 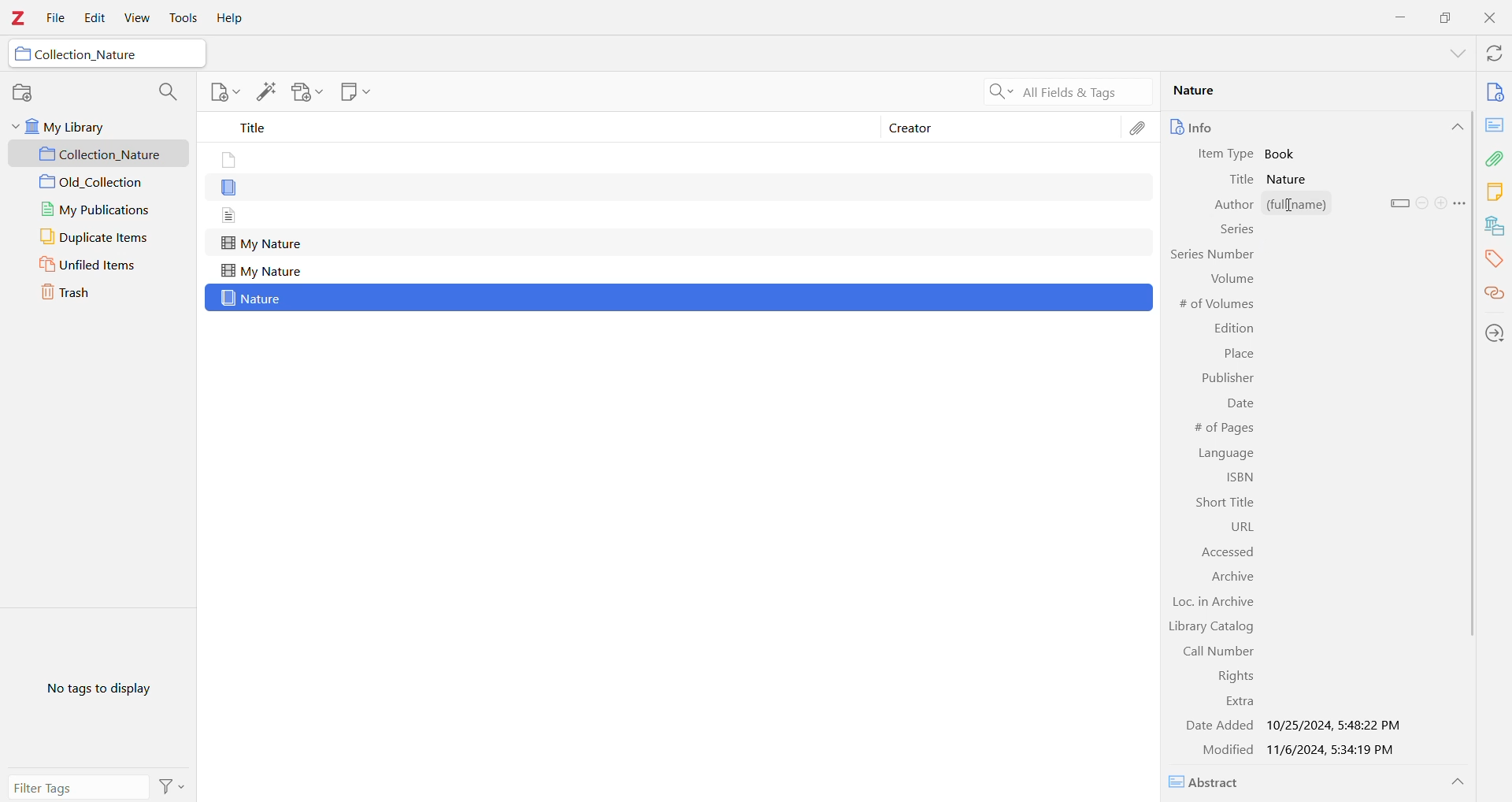 I want to click on Tools, so click(x=182, y=18).